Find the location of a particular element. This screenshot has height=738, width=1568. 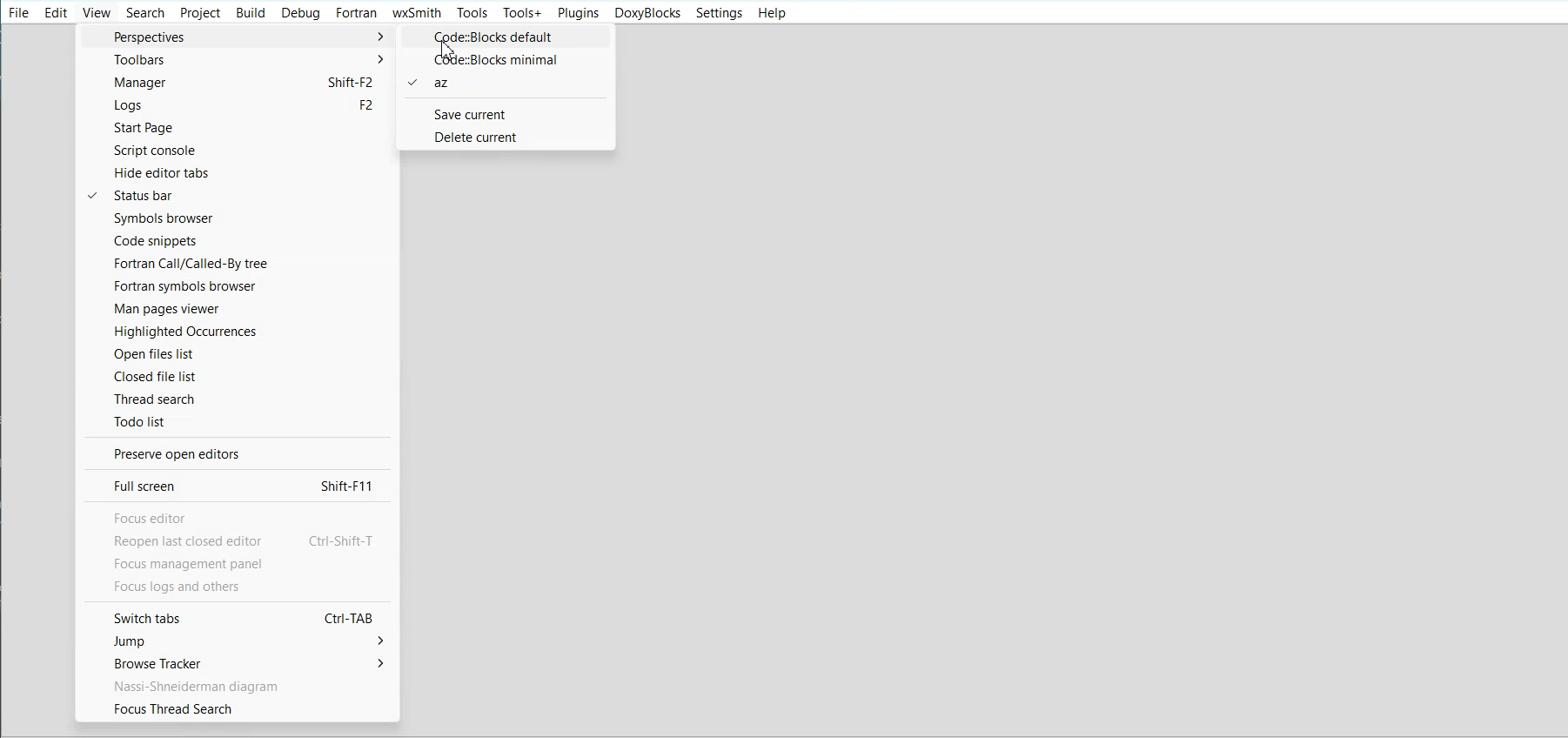

Script console is located at coordinates (241, 150).